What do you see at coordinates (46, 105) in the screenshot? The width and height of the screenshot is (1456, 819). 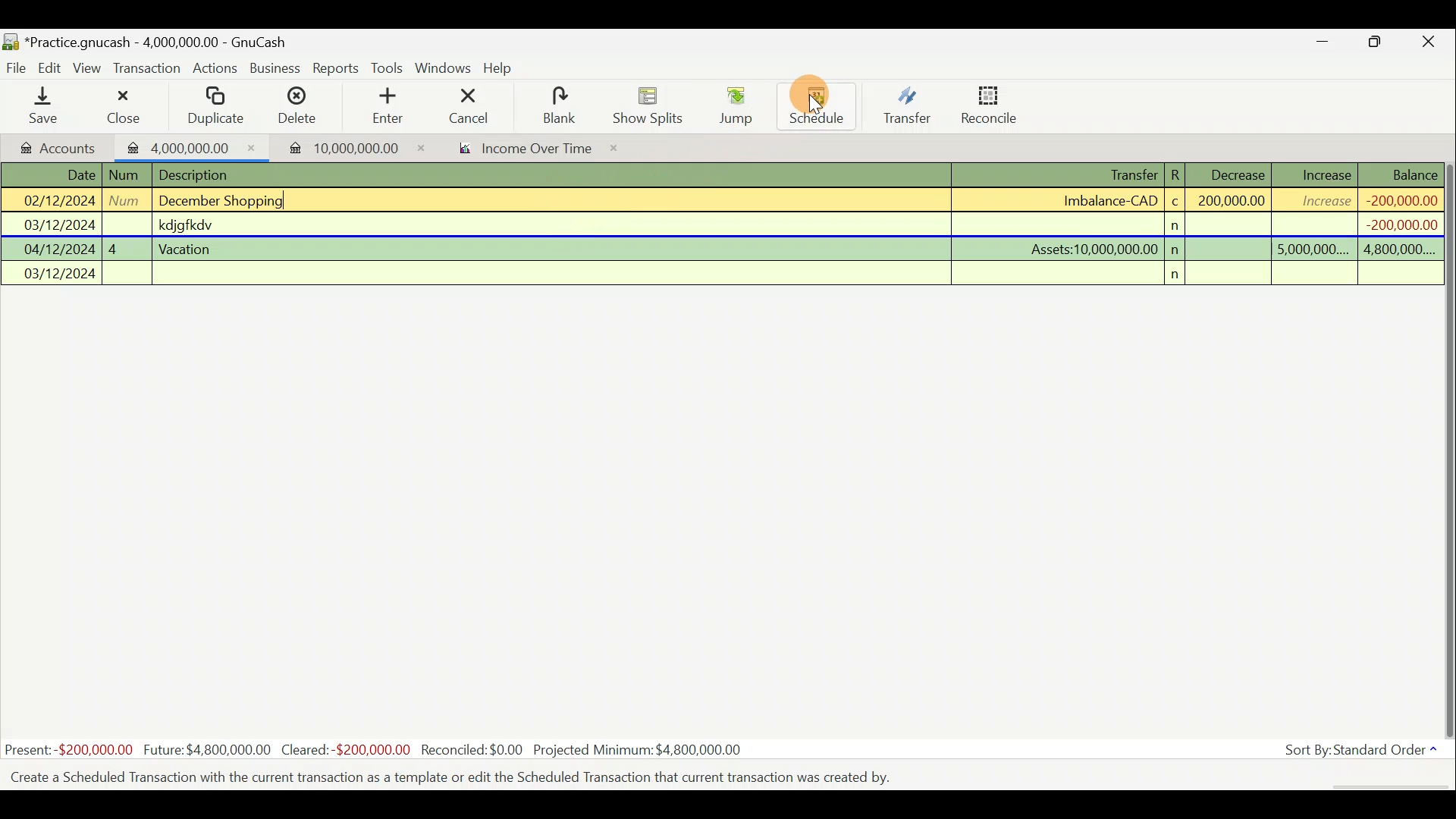 I see `Save` at bounding box center [46, 105].